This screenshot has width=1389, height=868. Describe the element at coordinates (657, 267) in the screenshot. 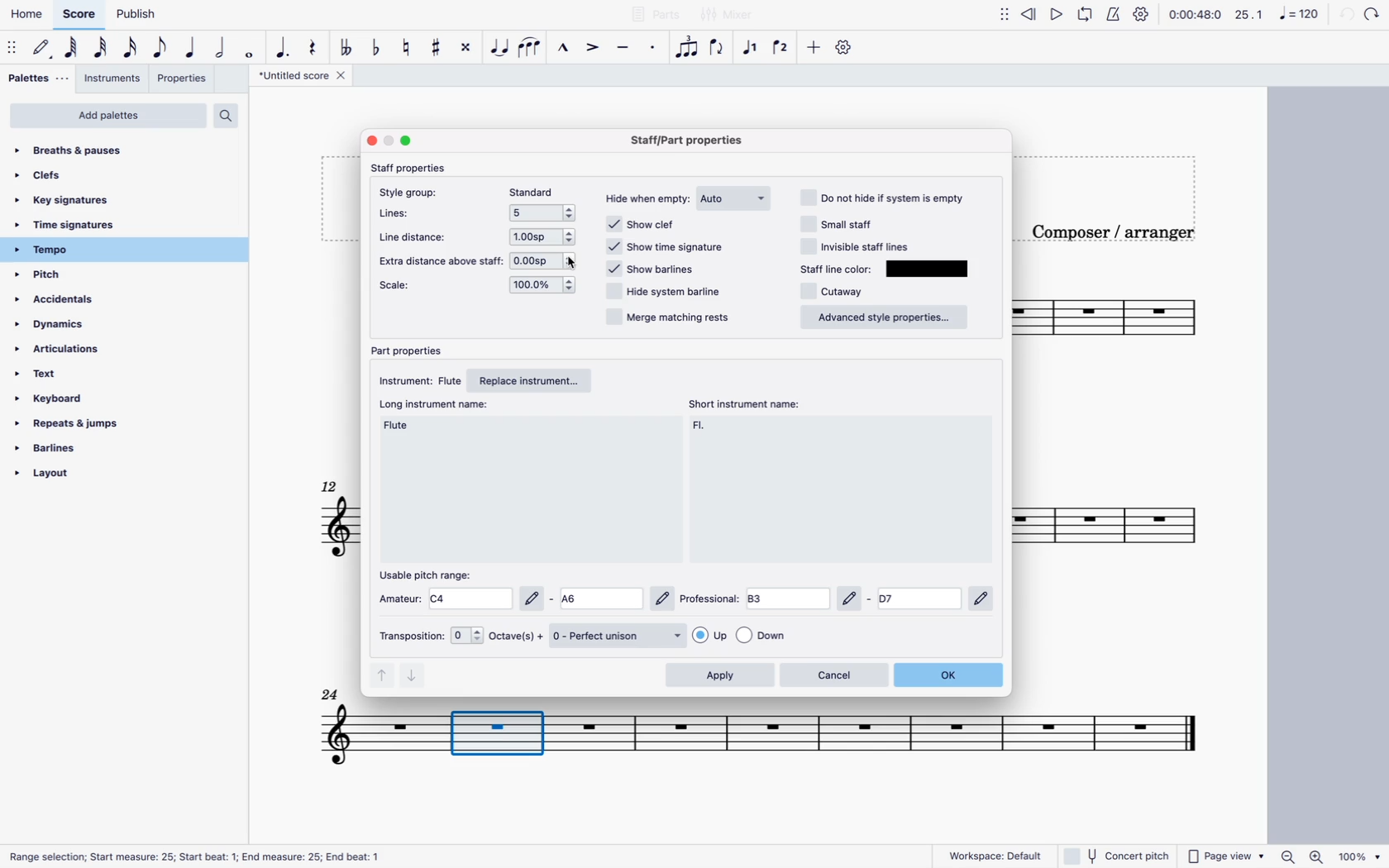

I see `show barlines ` at that location.